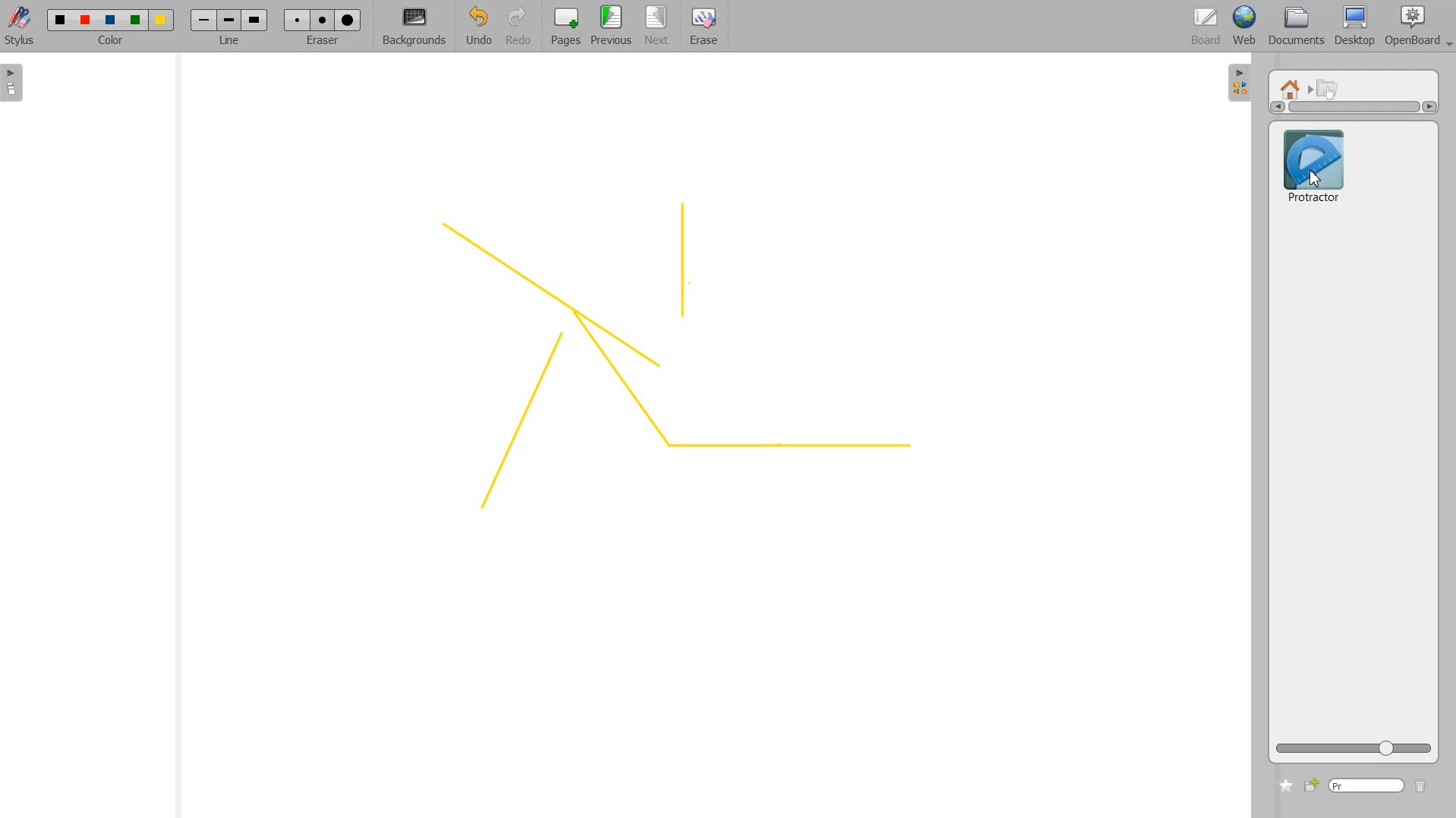 Image resolution: width=1456 pixels, height=818 pixels. I want to click on Previous, so click(613, 27).